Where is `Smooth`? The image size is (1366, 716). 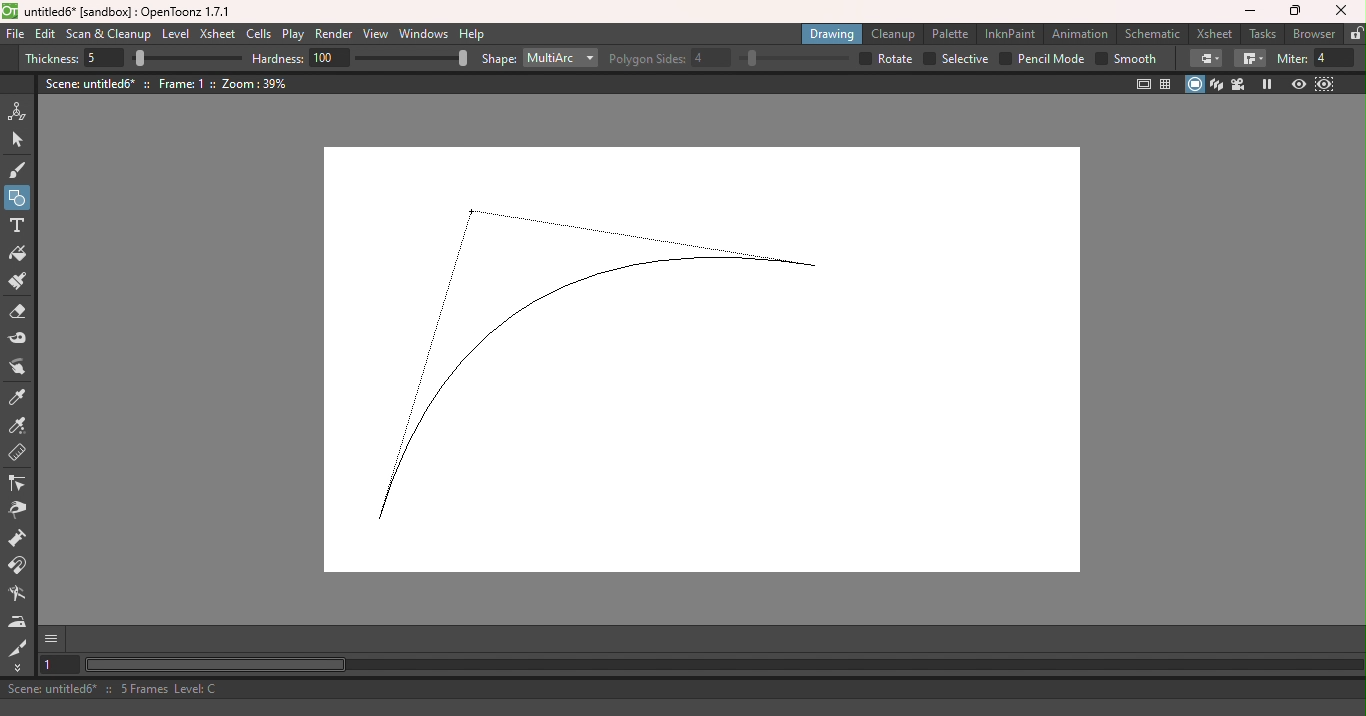
Smooth is located at coordinates (1126, 60).